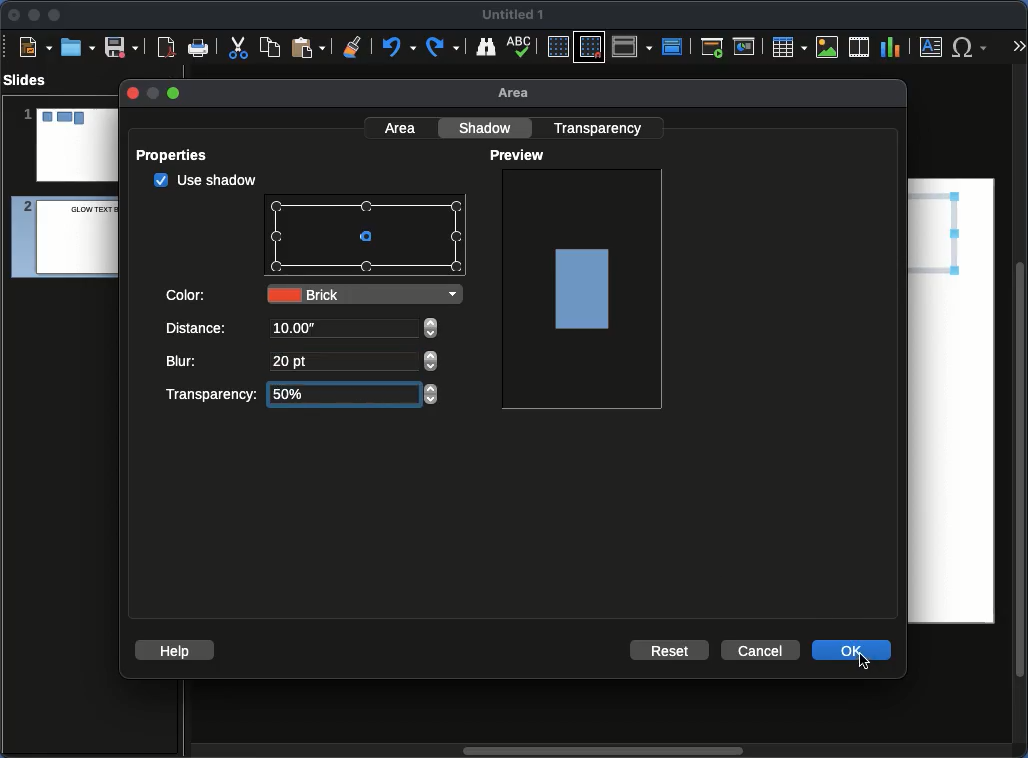 The image size is (1028, 758). What do you see at coordinates (364, 294) in the screenshot?
I see `Brick` at bounding box center [364, 294].